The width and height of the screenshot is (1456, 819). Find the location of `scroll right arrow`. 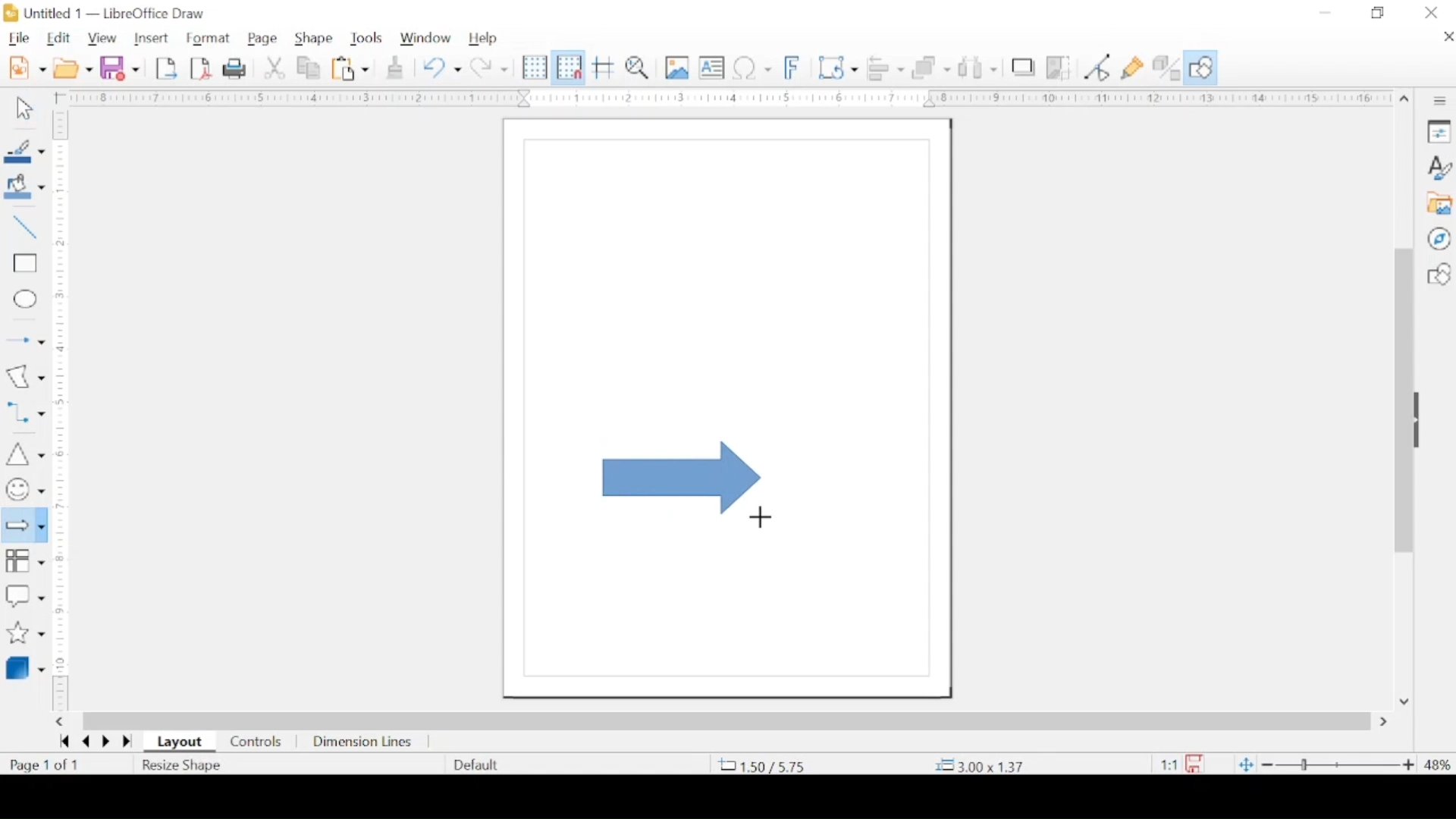

scroll right arrow is located at coordinates (1387, 722).